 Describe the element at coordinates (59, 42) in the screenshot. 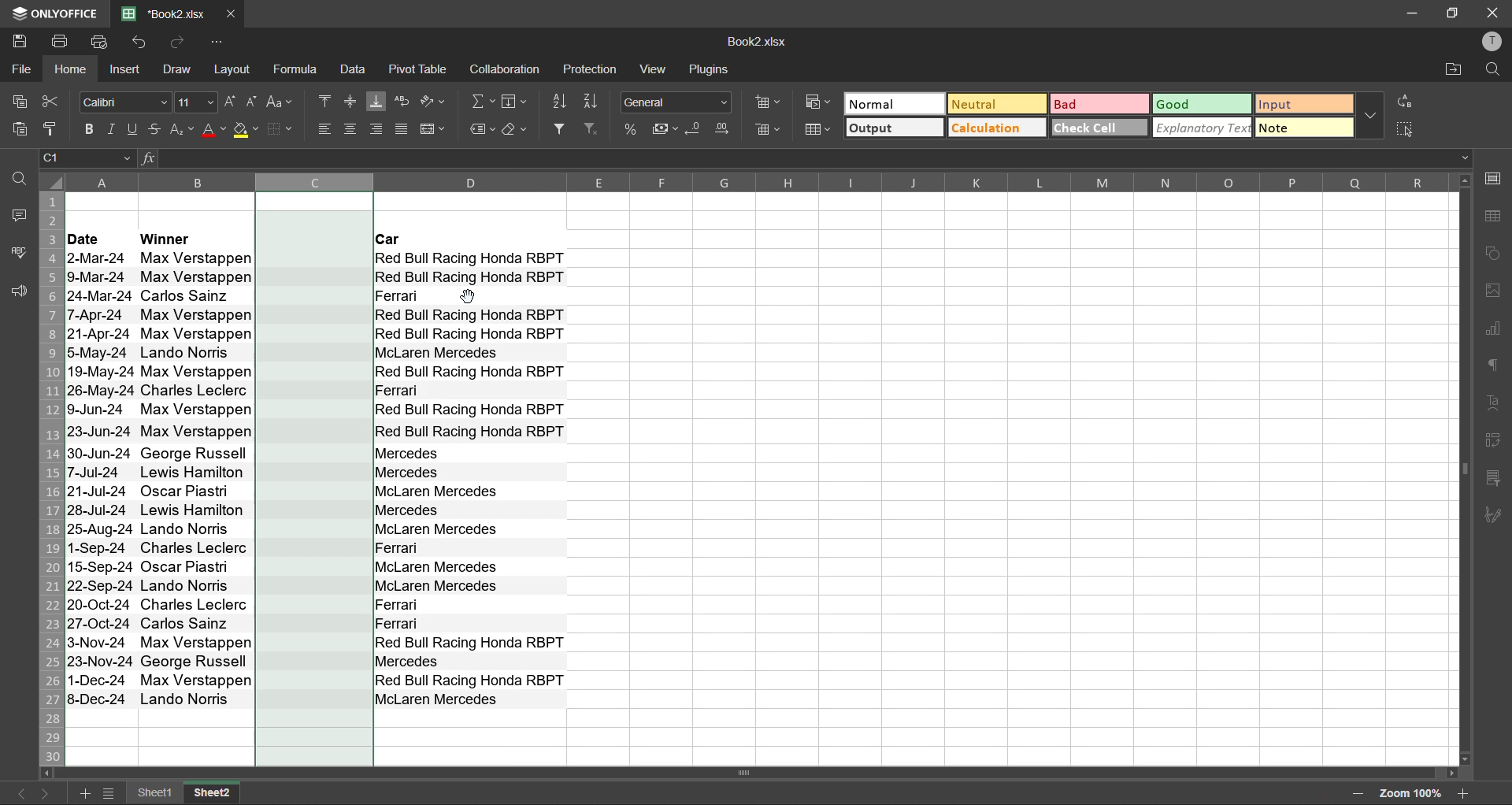

I see `print` at that location.